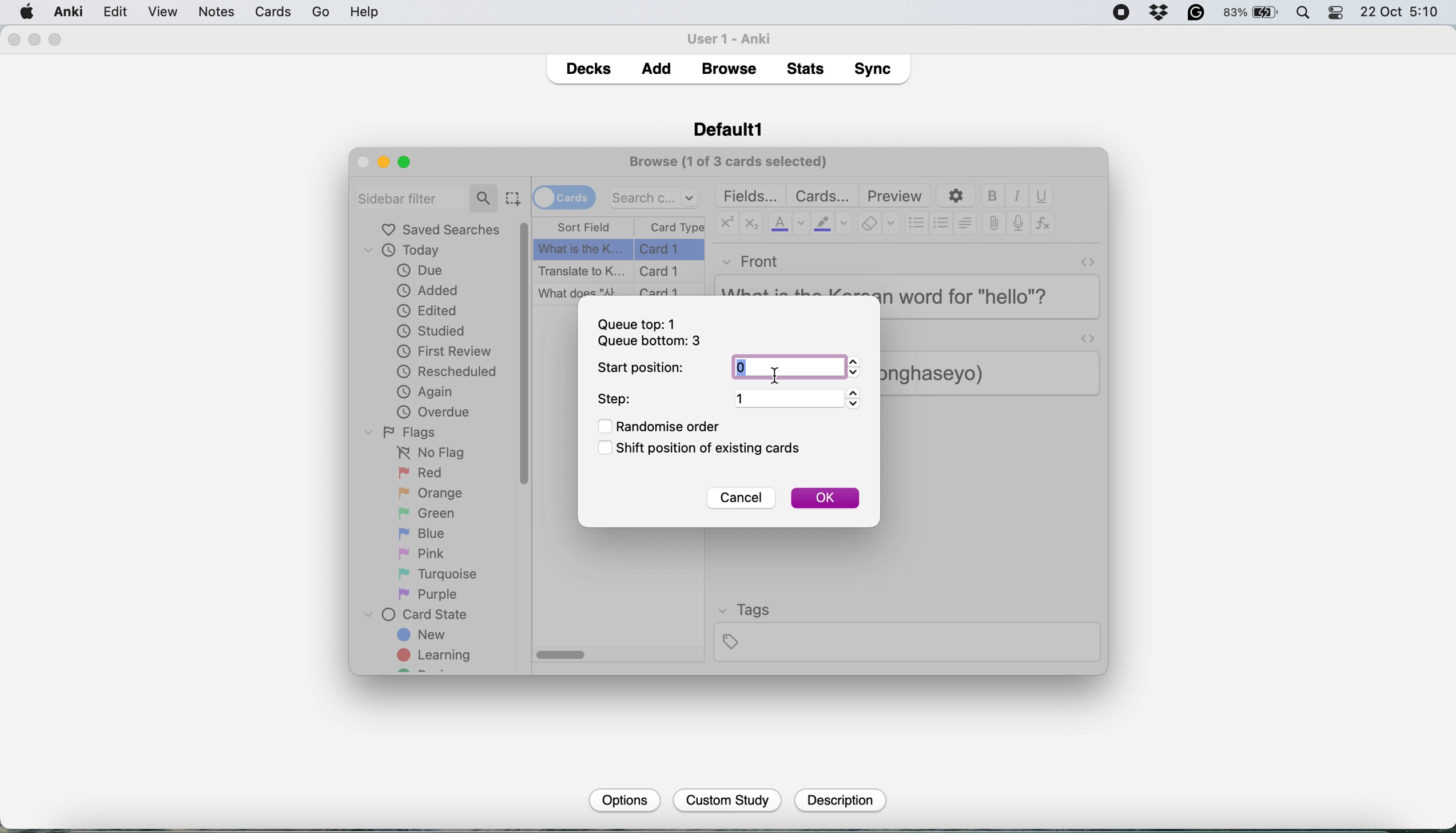 This screenshot has height=833, width=1456. I want to click on Add, so click(657, 65).